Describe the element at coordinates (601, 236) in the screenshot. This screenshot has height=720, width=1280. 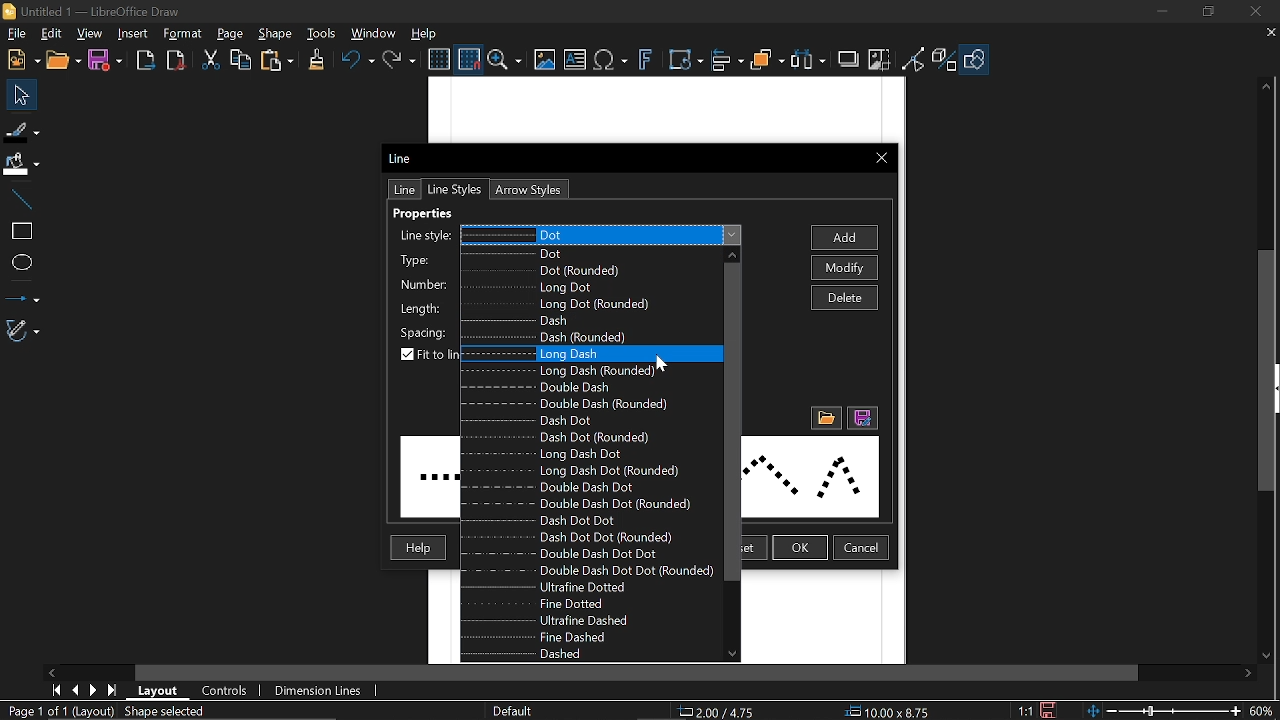
I see `Line styles` at that location.